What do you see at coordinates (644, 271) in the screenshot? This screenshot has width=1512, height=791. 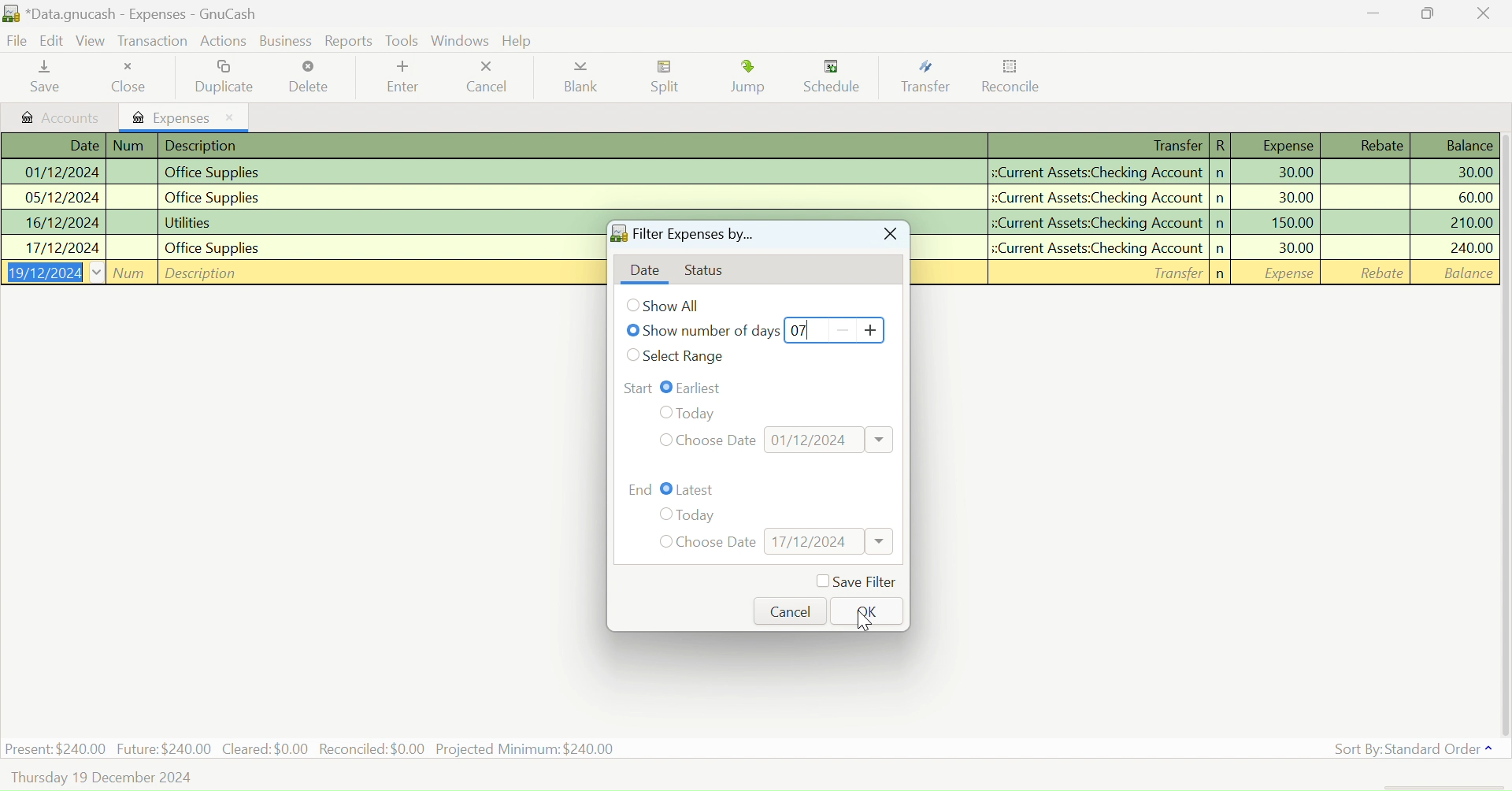 I see `Date` at bounding box center [644, 271].